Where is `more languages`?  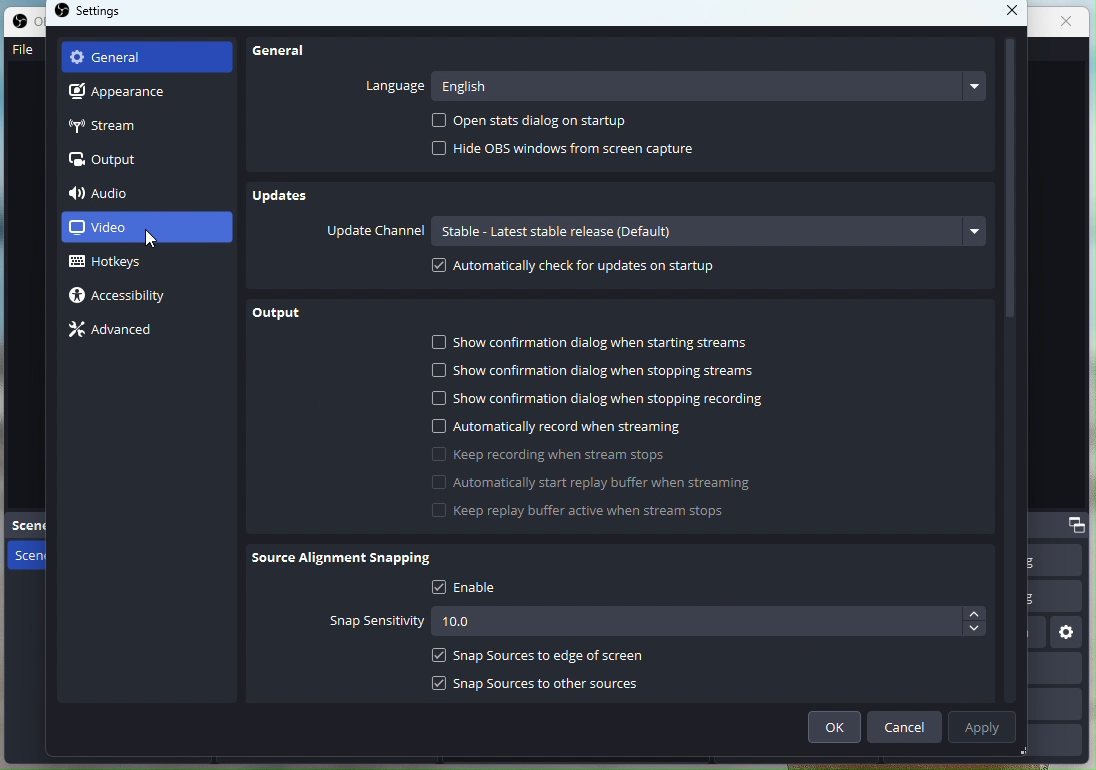
more languages is located at coordinates (977, 86).